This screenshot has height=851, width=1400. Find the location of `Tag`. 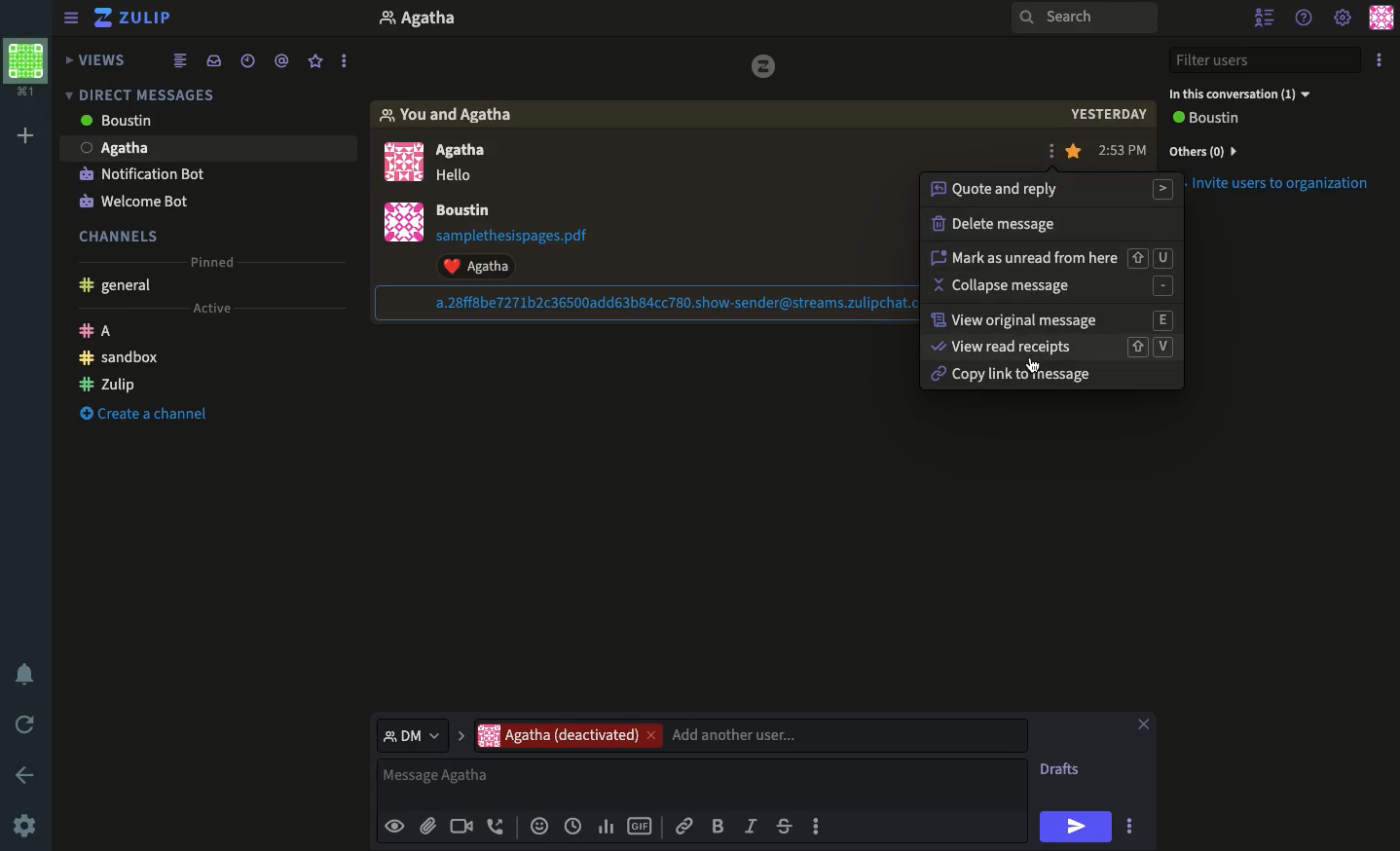

Tag is located at coordinates (284, 58).